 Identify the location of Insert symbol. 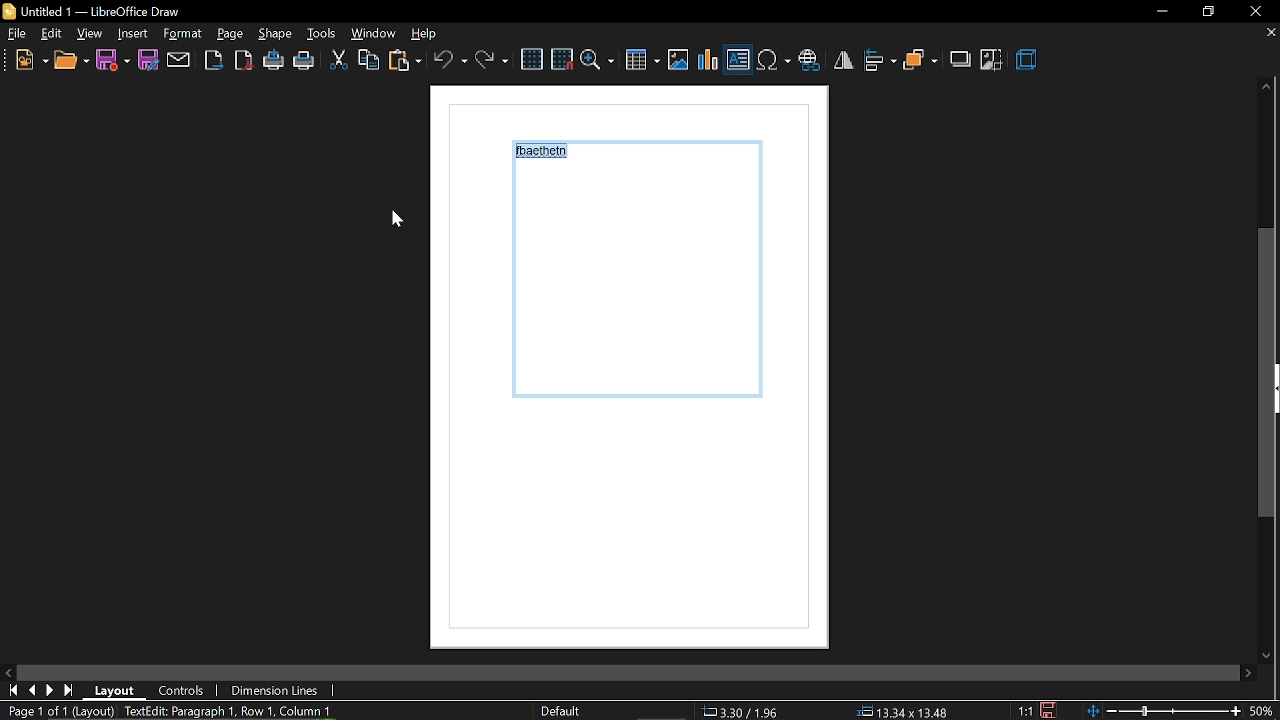
(773, 60).